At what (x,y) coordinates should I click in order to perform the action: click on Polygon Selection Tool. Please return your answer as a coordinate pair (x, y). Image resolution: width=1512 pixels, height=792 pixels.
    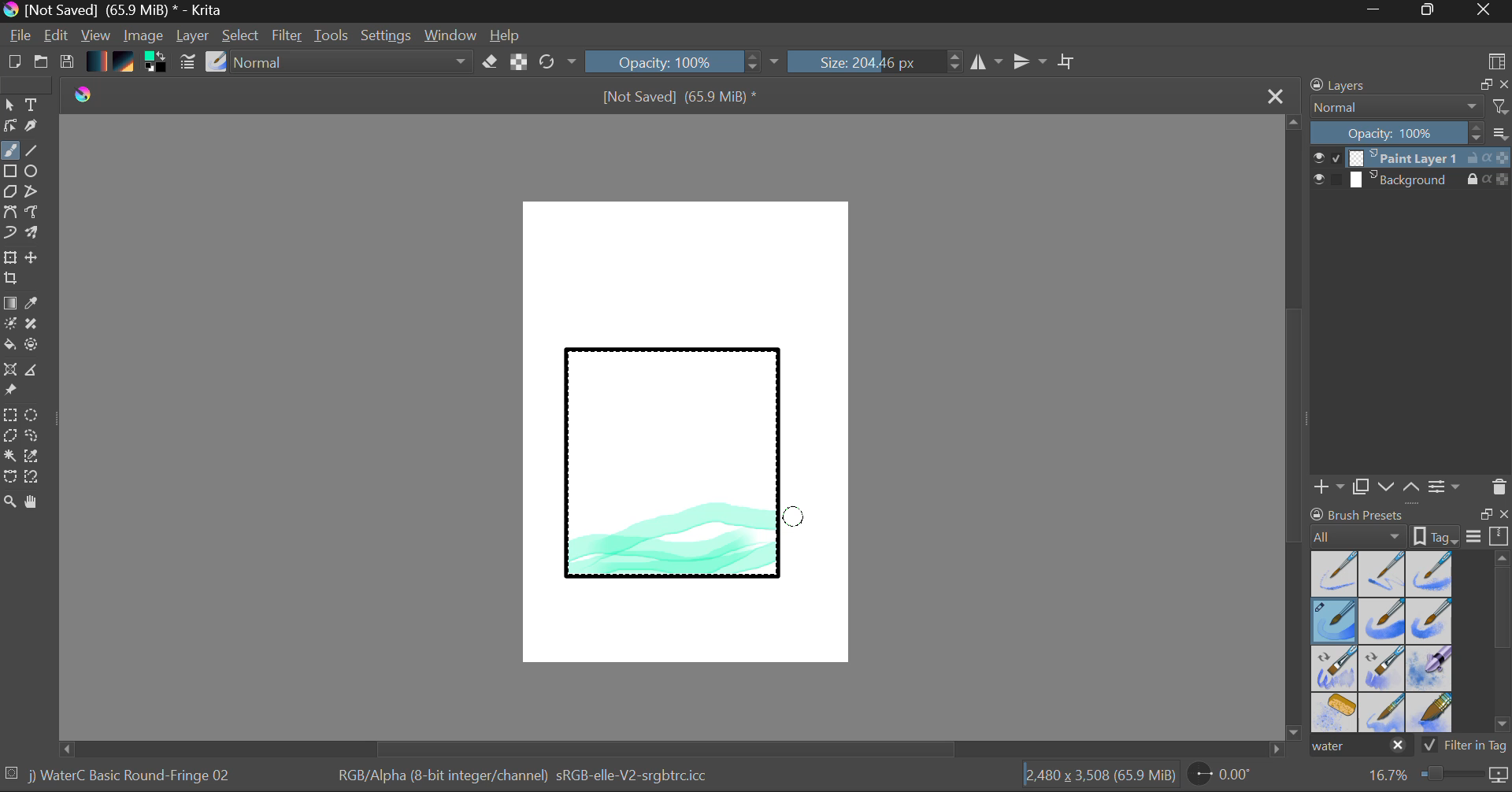
    Looking at the image, I should click on (9, 436).